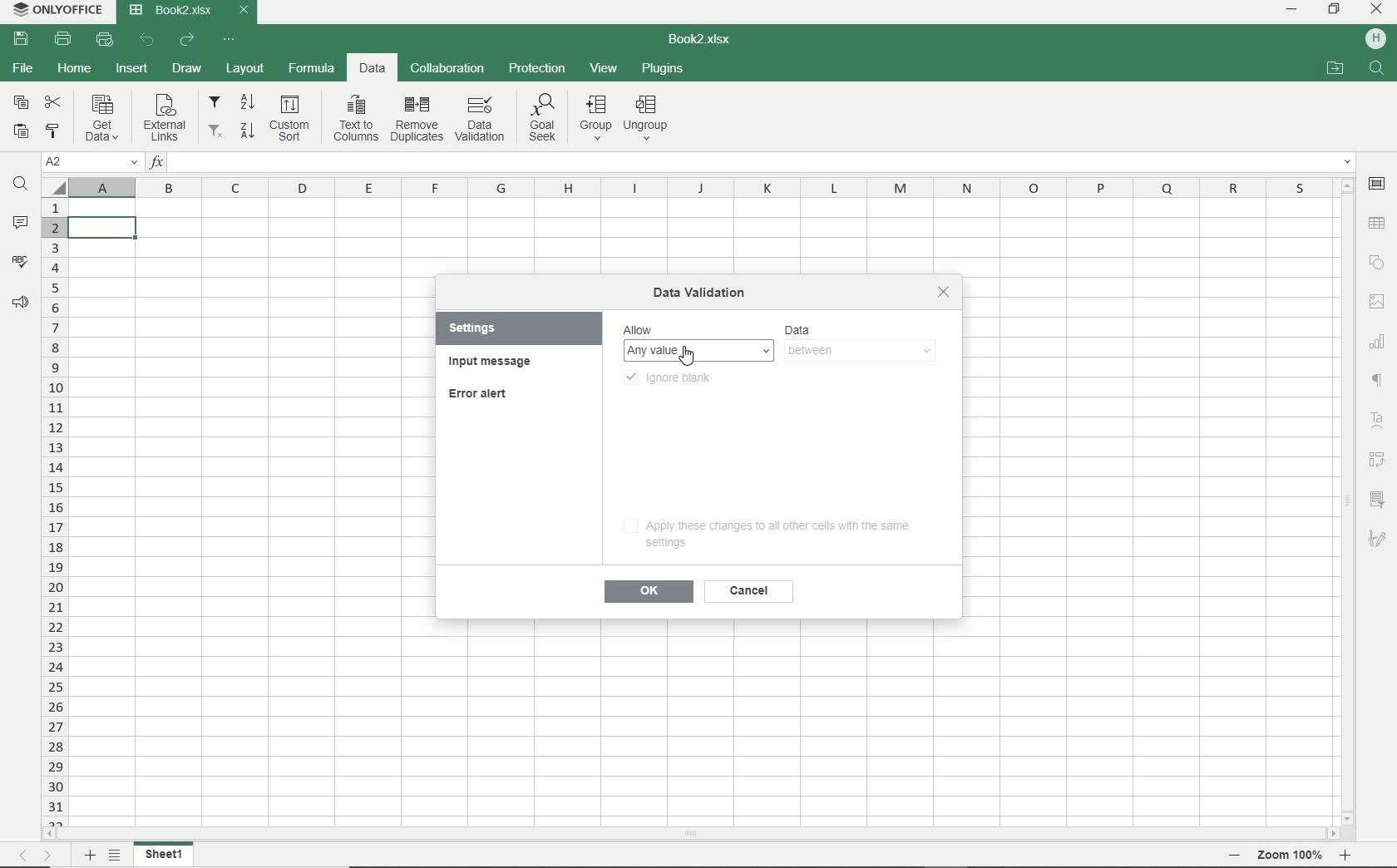 This screenshot has height=868, width=1397. Describe the element at coordinates (230, 41) in the screenshot. I see `CUSTOMIZE QUICK ACCESS TOOLBAR` at that location.